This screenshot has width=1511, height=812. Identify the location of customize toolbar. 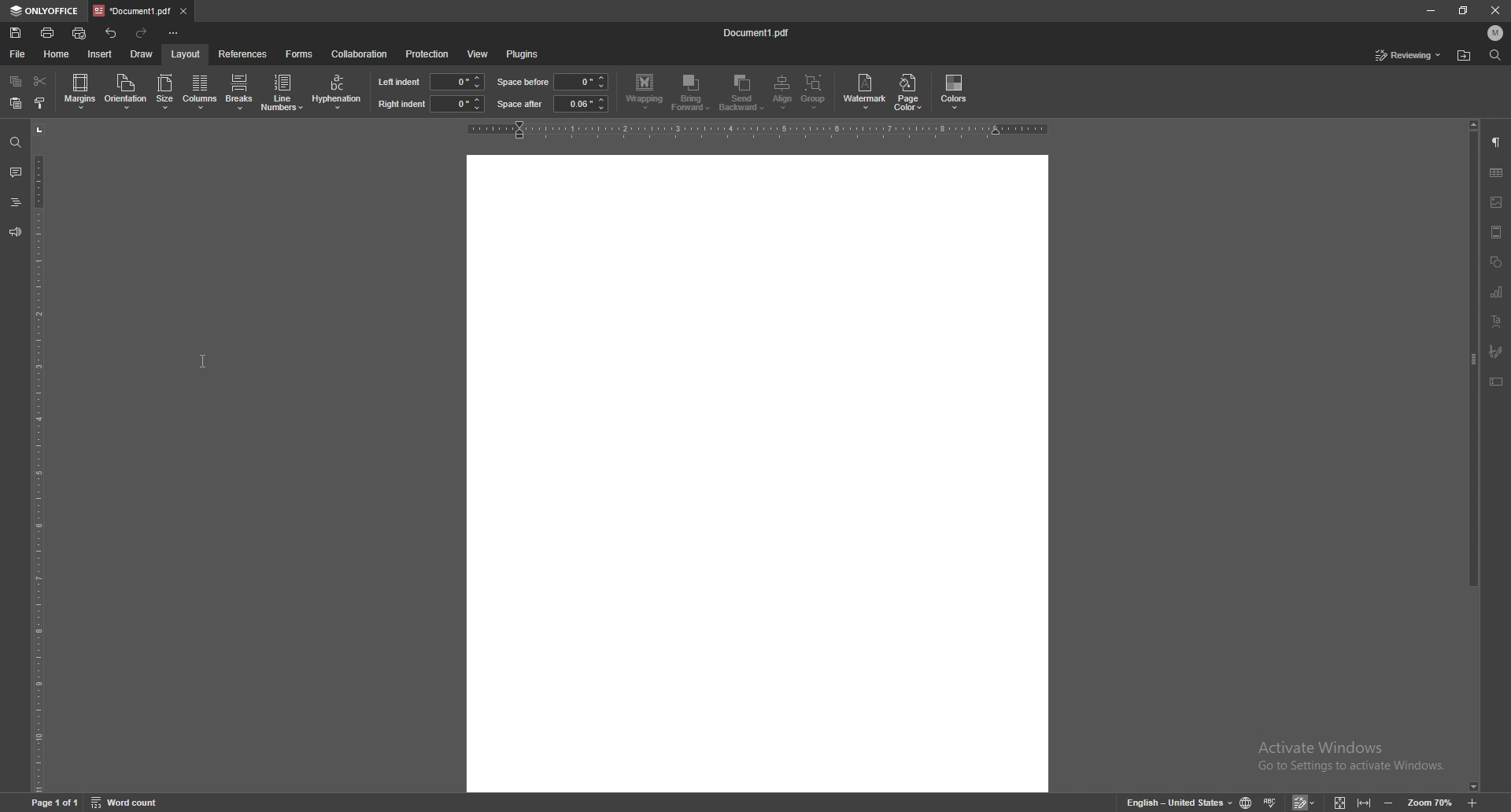
(173, 33).